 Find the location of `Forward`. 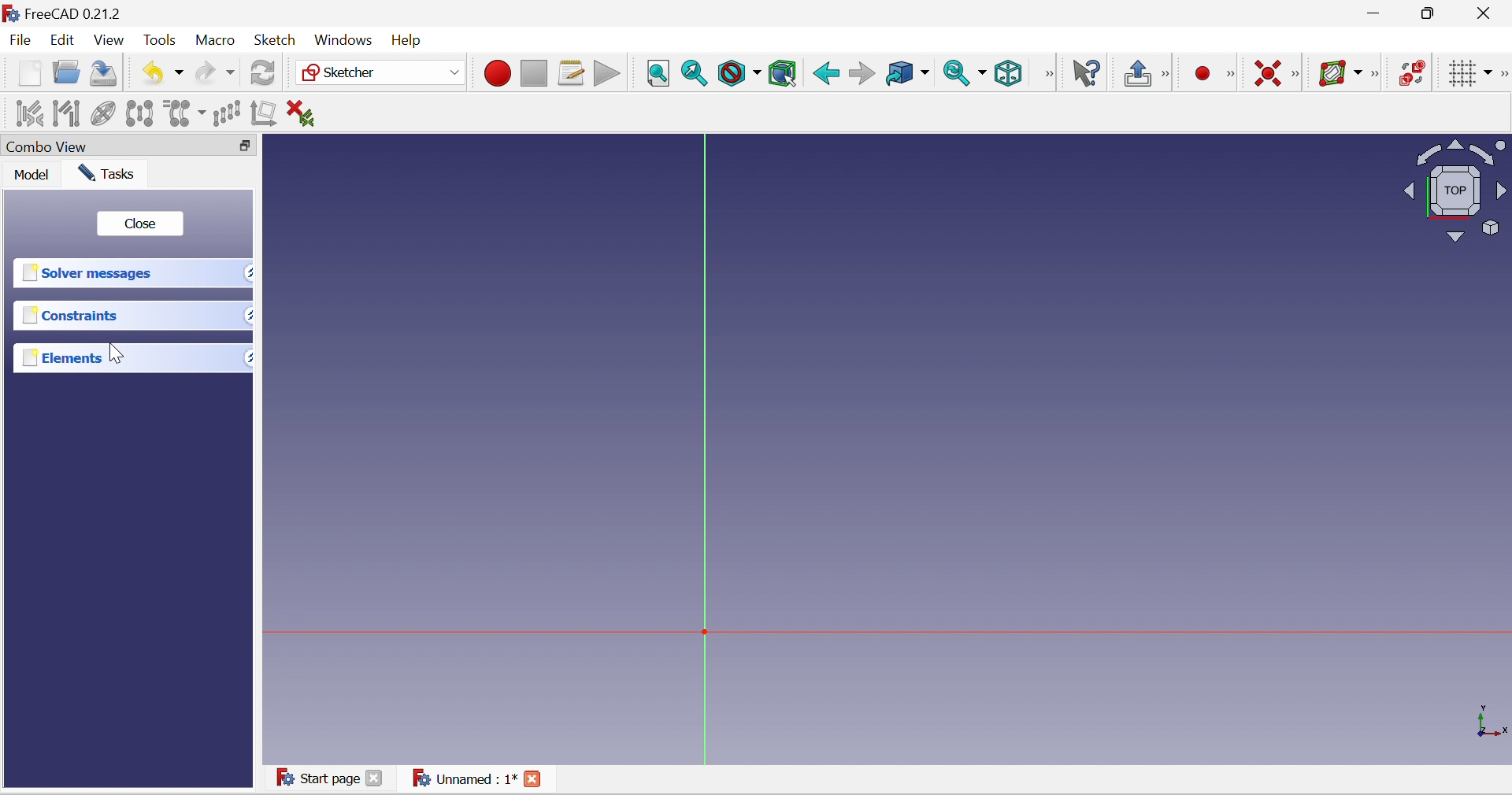

Forward is located at coordinates (861, 73).